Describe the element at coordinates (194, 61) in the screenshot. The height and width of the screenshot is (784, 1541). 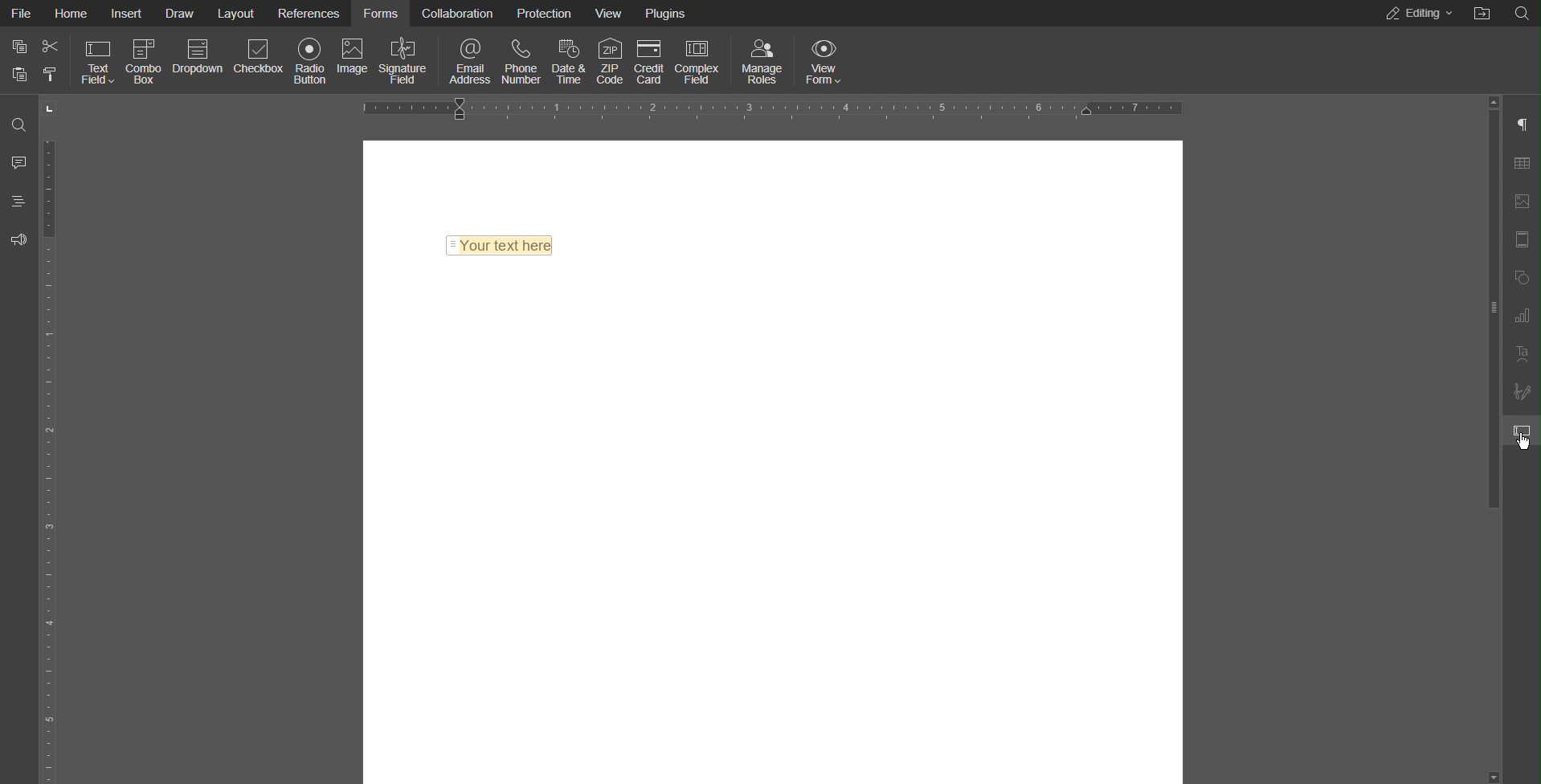
I see `Dropdown` at that location.